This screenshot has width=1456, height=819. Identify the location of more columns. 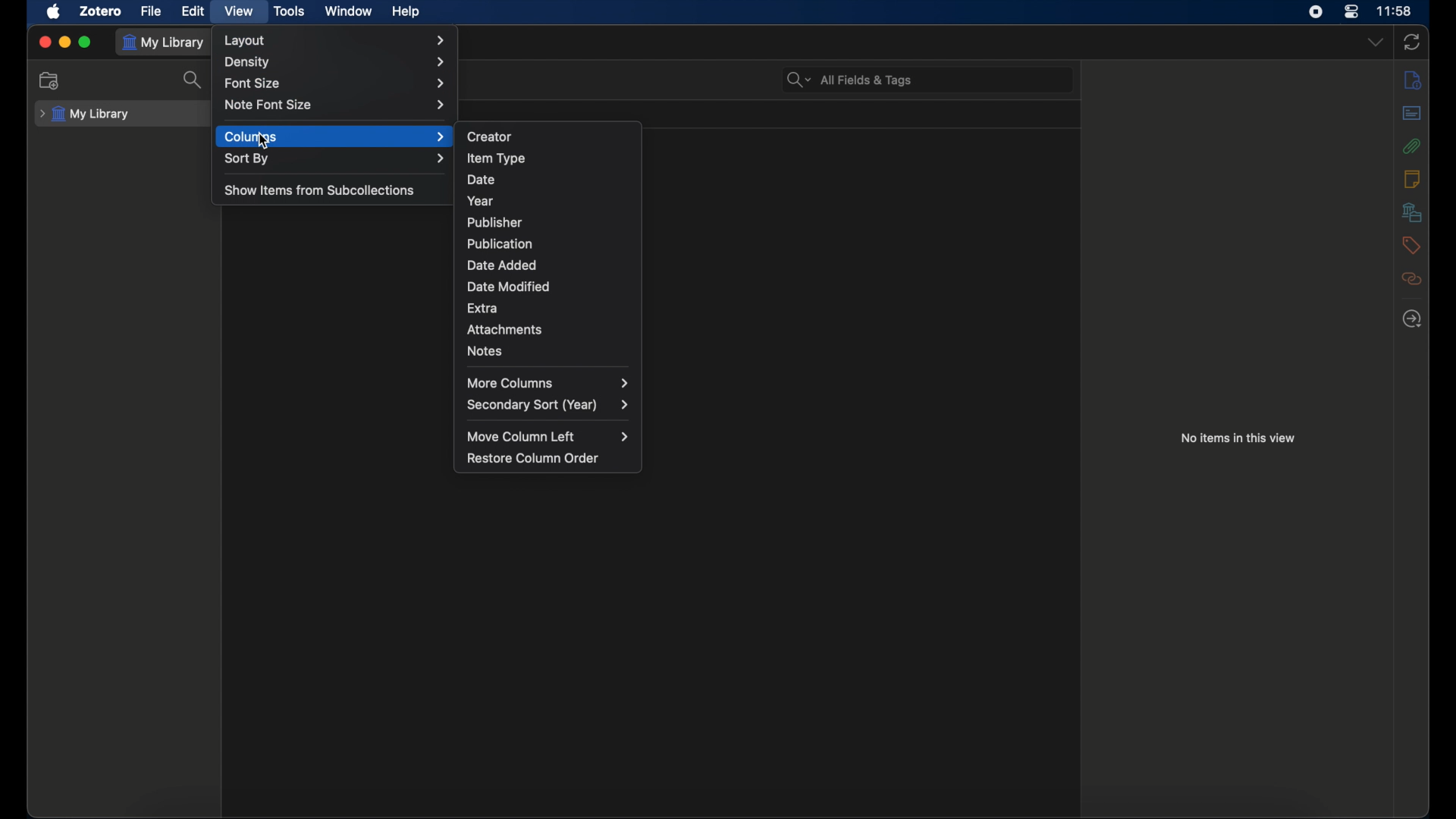
(550, 382).